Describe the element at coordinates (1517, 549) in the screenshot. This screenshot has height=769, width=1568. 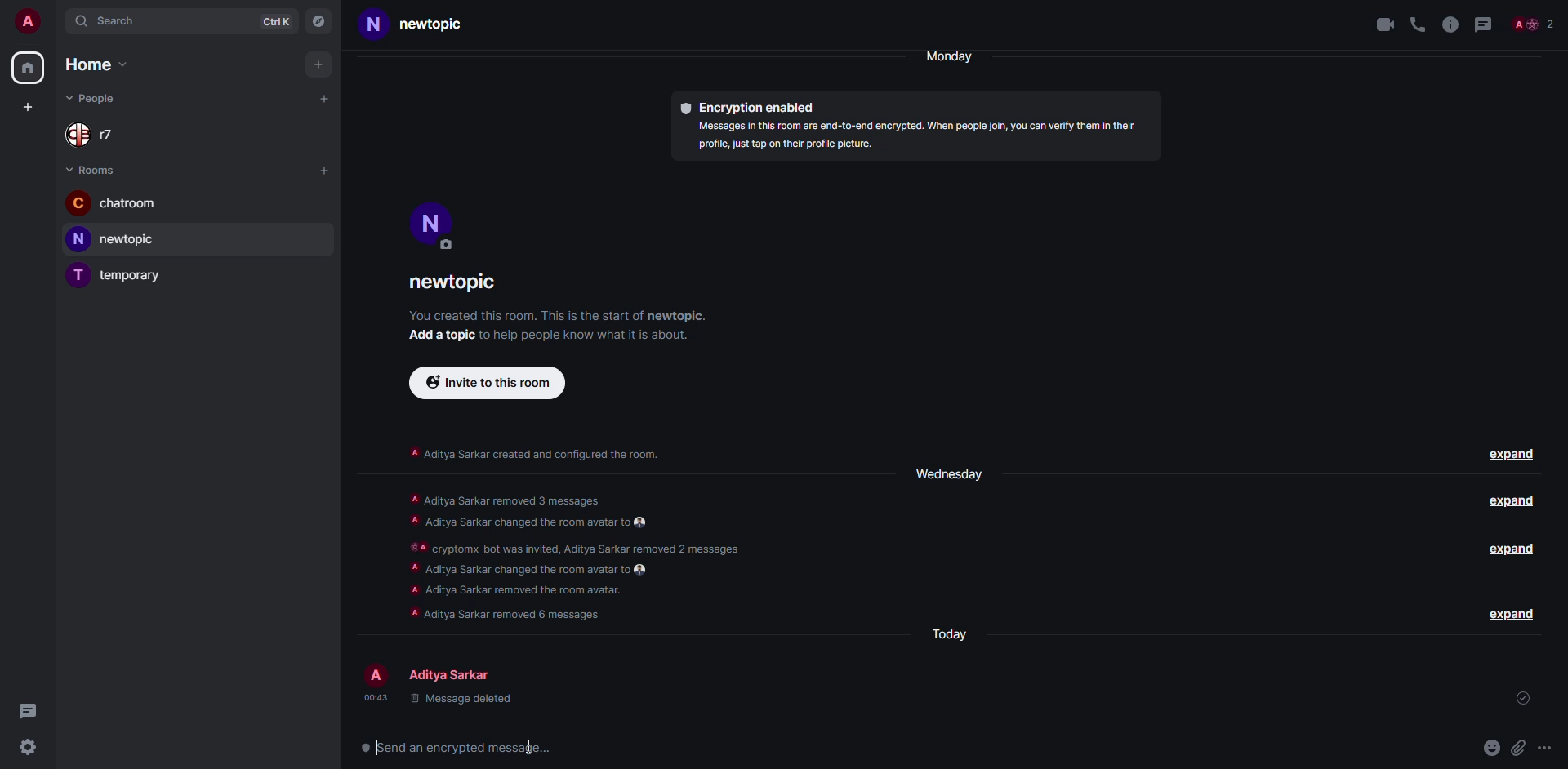
I see `expand` at that location.